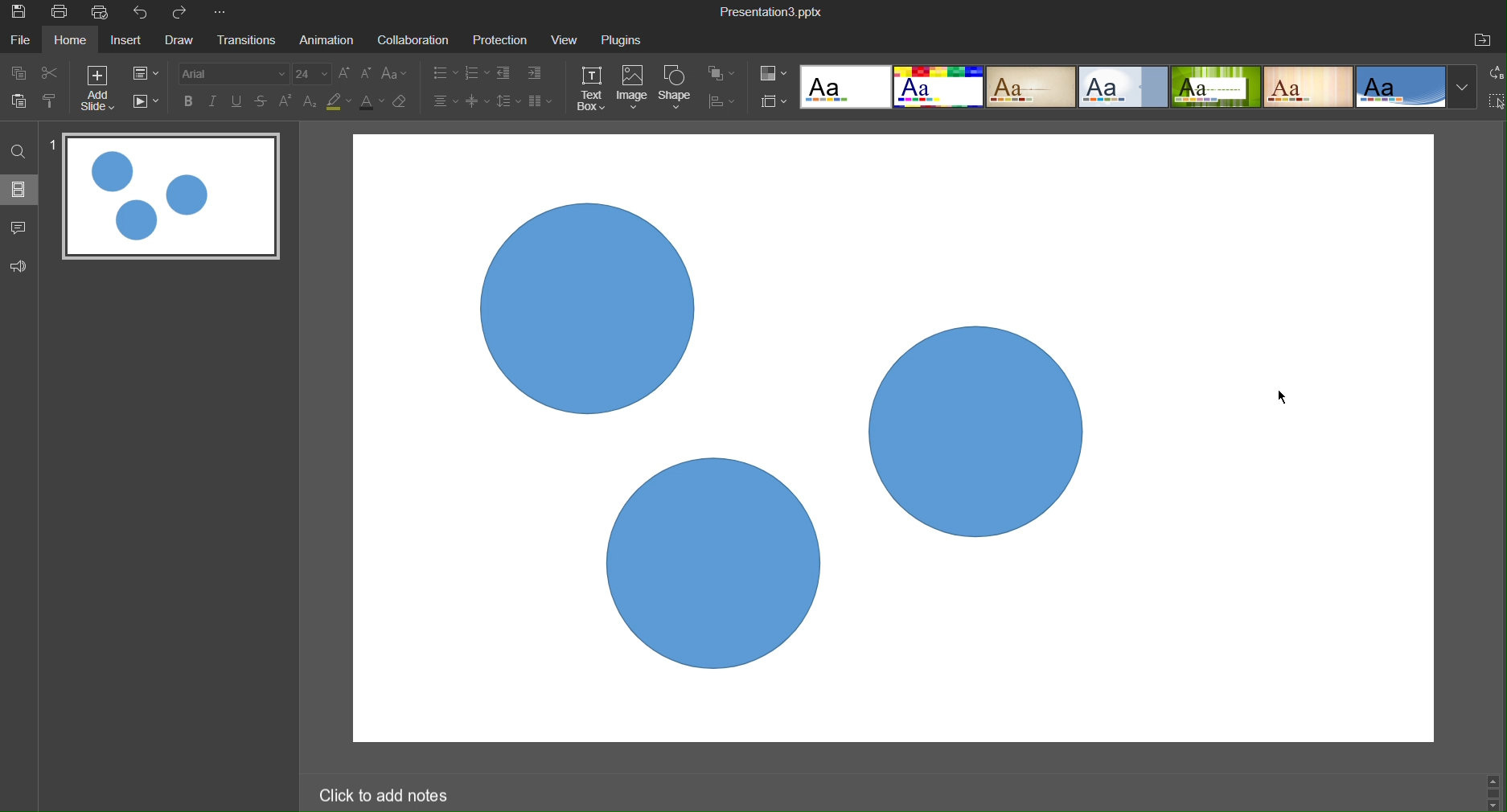  Describe the element at coordinates (171, 199) in the screenshot. I see `Slide 1` at that location.